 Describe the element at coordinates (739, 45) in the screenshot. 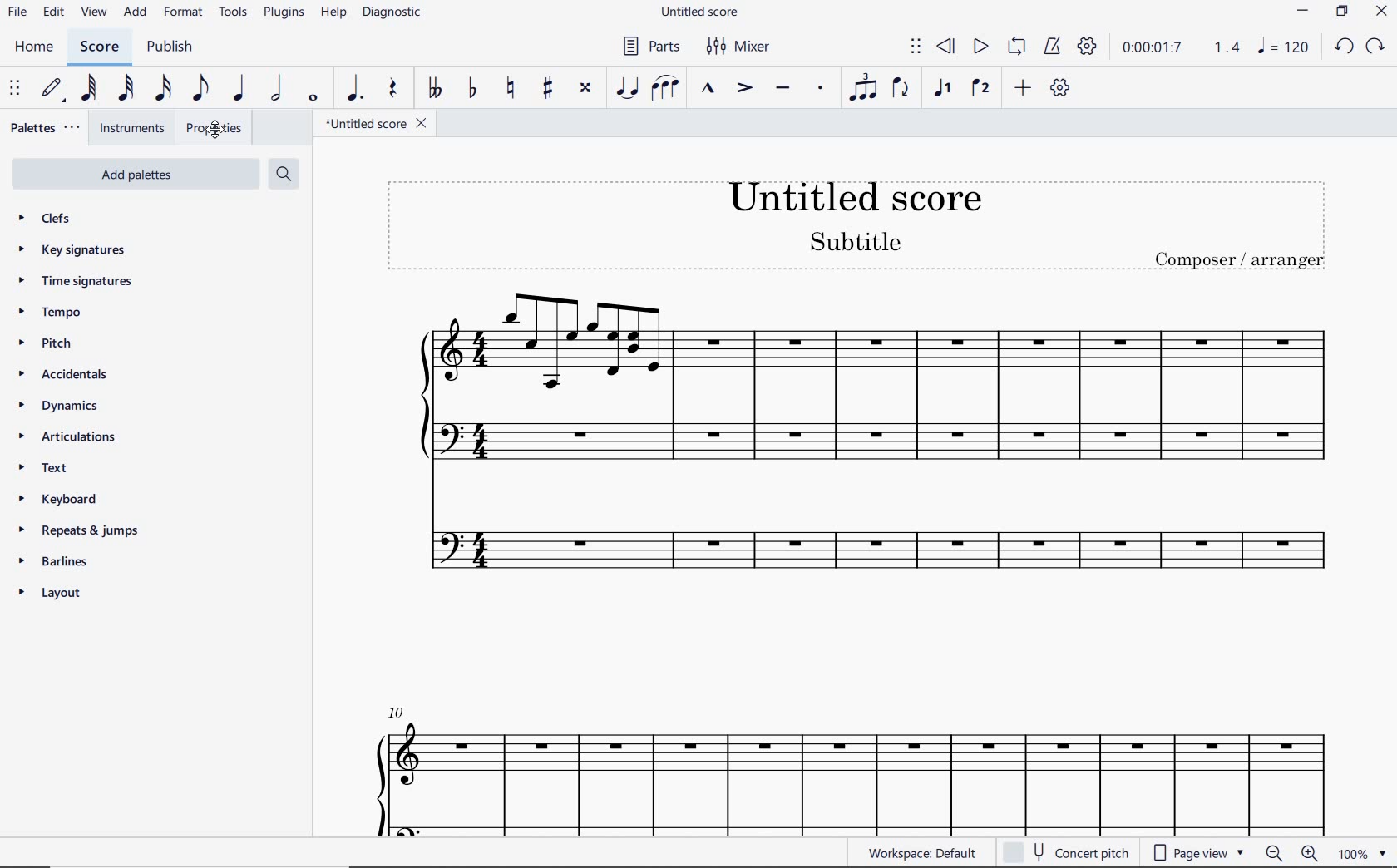

I see `MIXER` at that location.